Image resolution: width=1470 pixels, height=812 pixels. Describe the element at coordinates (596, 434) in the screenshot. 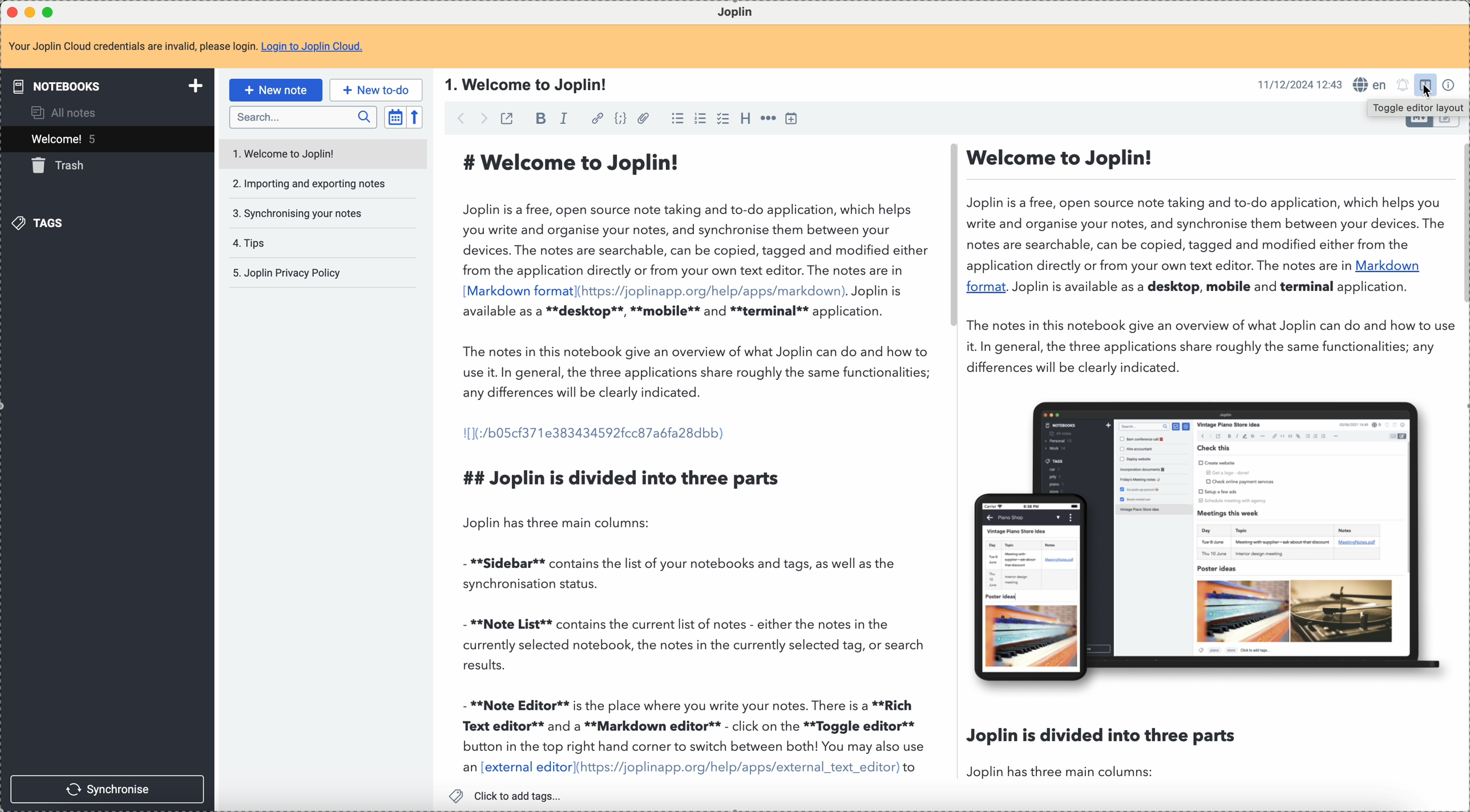

I see `1[1(:/b05cf371e383434592fcc87abfa28dbb)` at that location.